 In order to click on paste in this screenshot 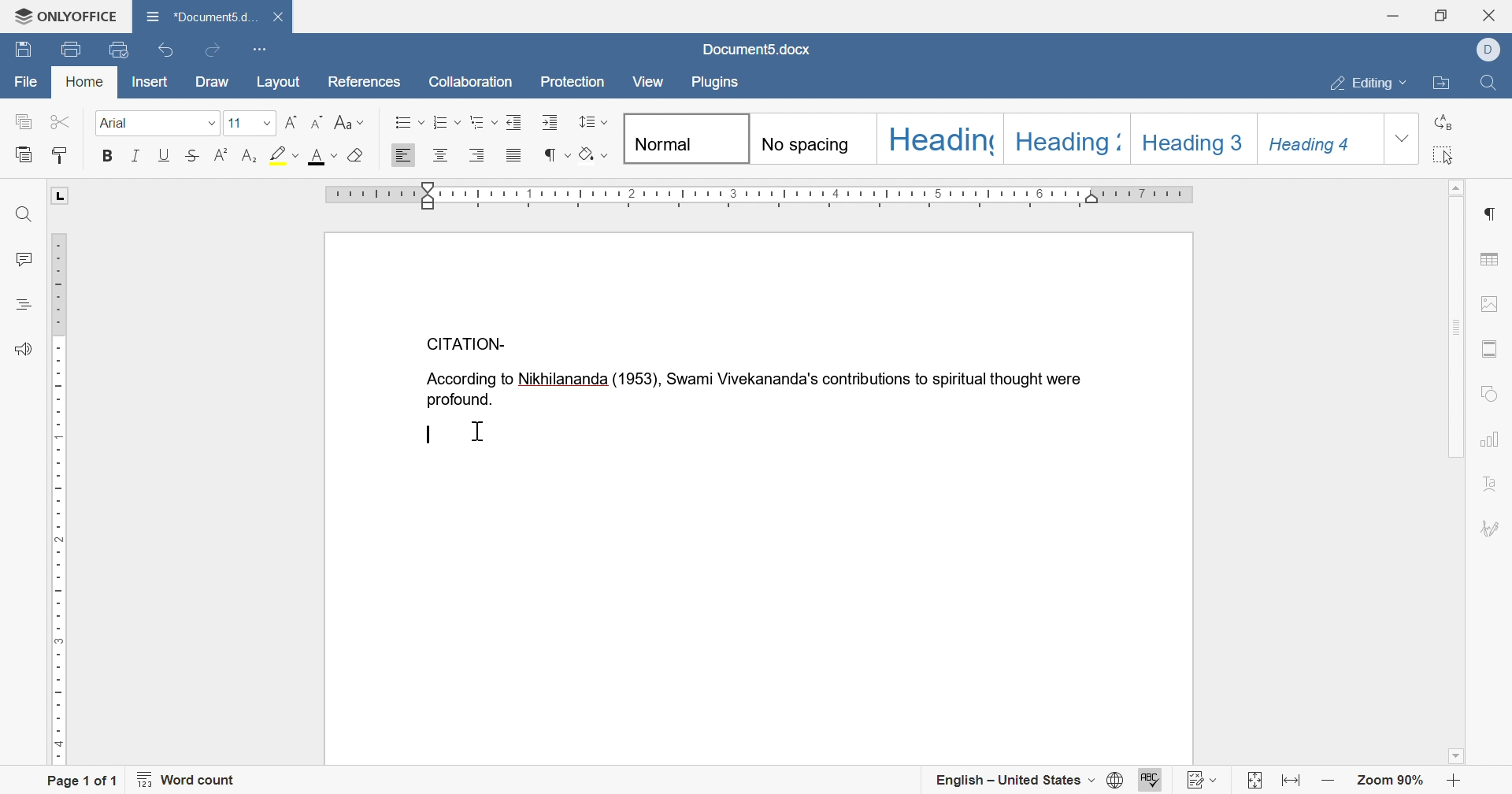, I will do `click(24, 156)`.